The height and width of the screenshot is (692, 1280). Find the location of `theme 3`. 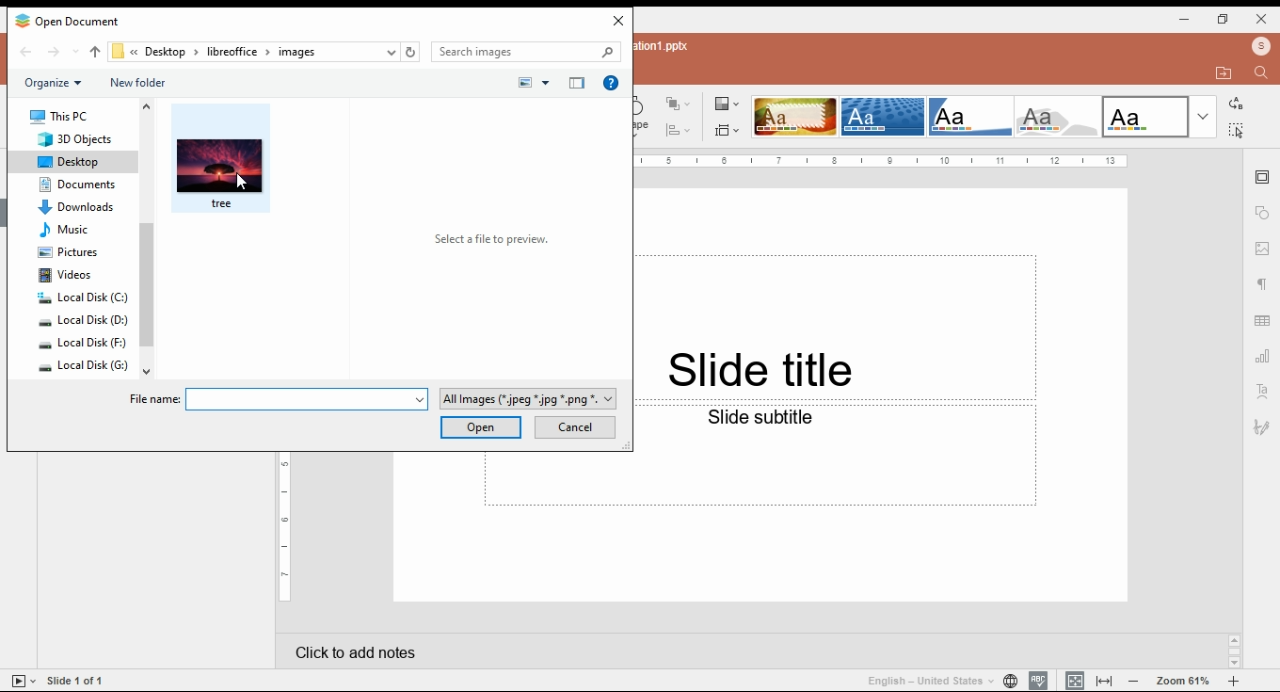

theme 3 is located at coordinates (969, 117).